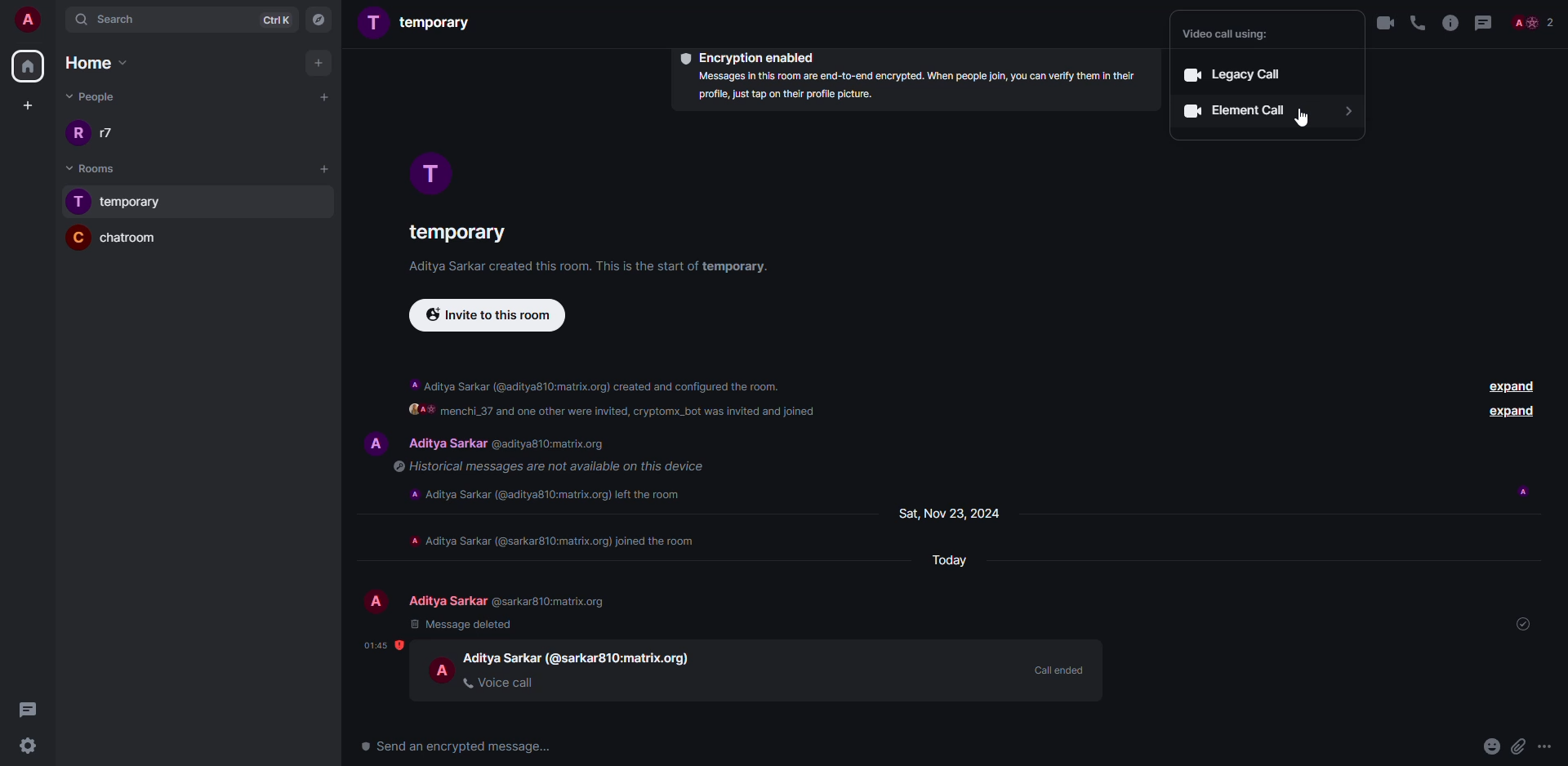 Image resolution: width=1568 pixels, height=766 pixels. What do you see at coordinates (1523, 492) in the screenshot?
I see `seen` at bounding box center [1523, 492].